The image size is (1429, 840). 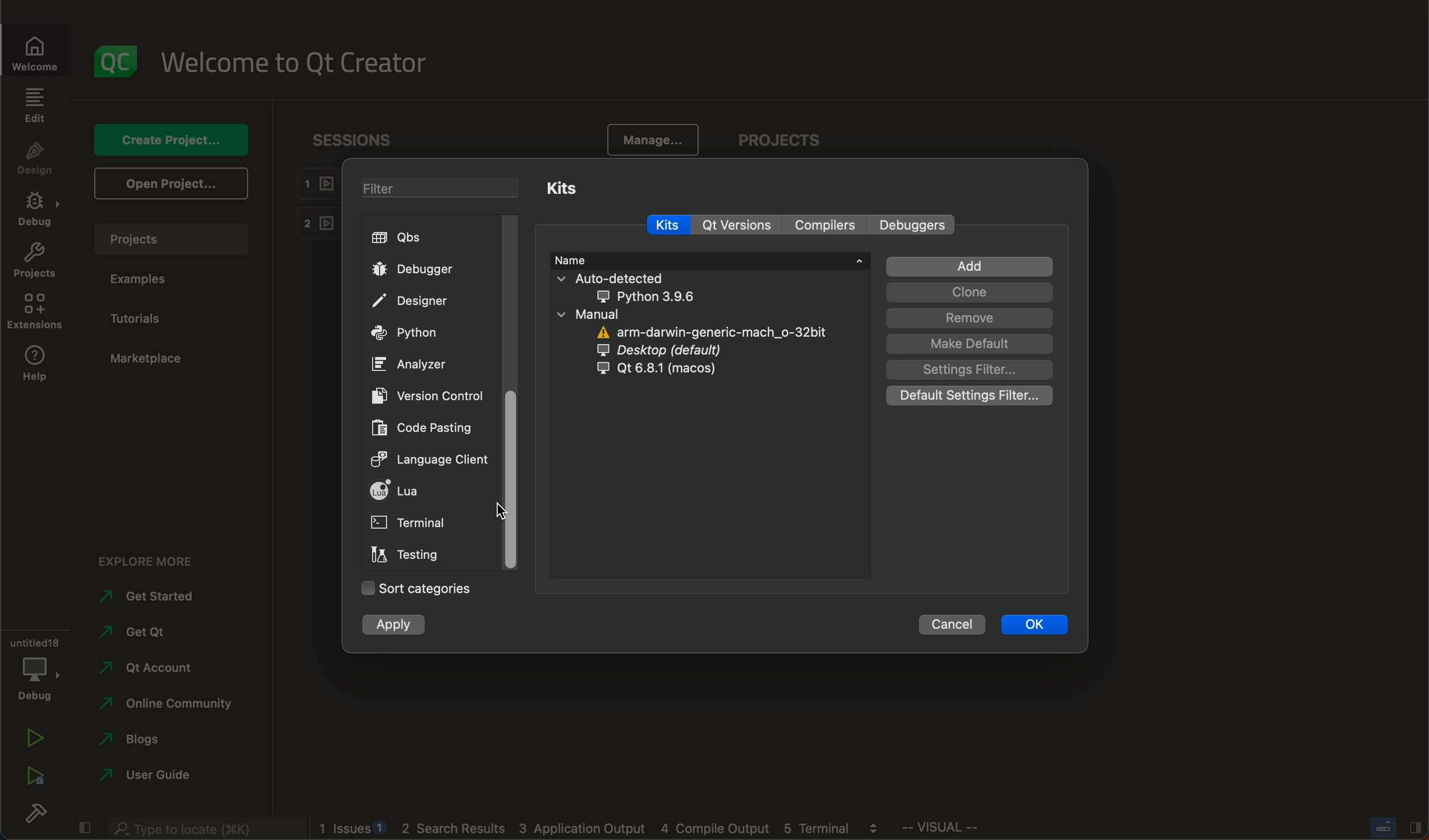 I want to click on debug, so click(x=34, y=211).